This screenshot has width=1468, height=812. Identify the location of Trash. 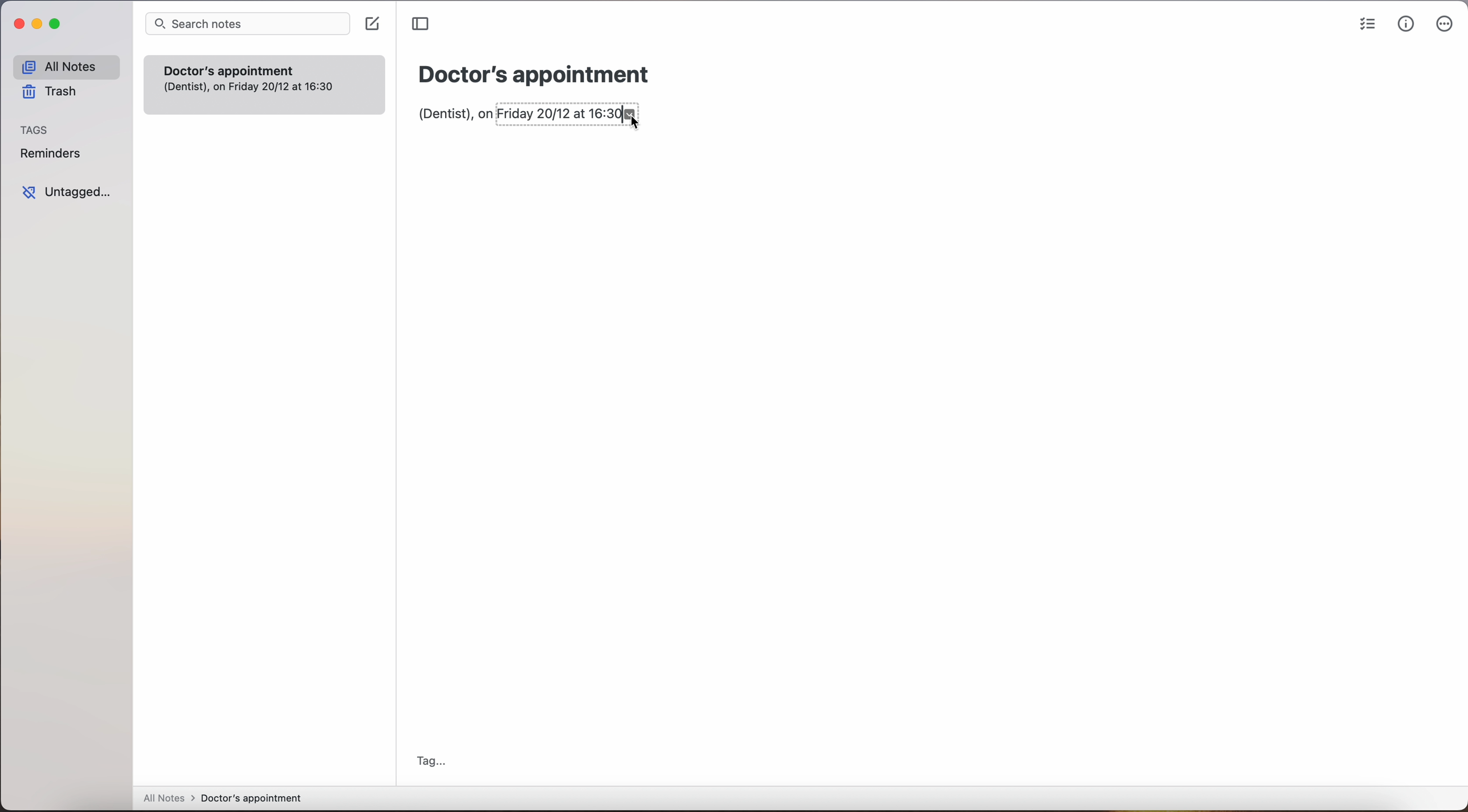
(58, 92).